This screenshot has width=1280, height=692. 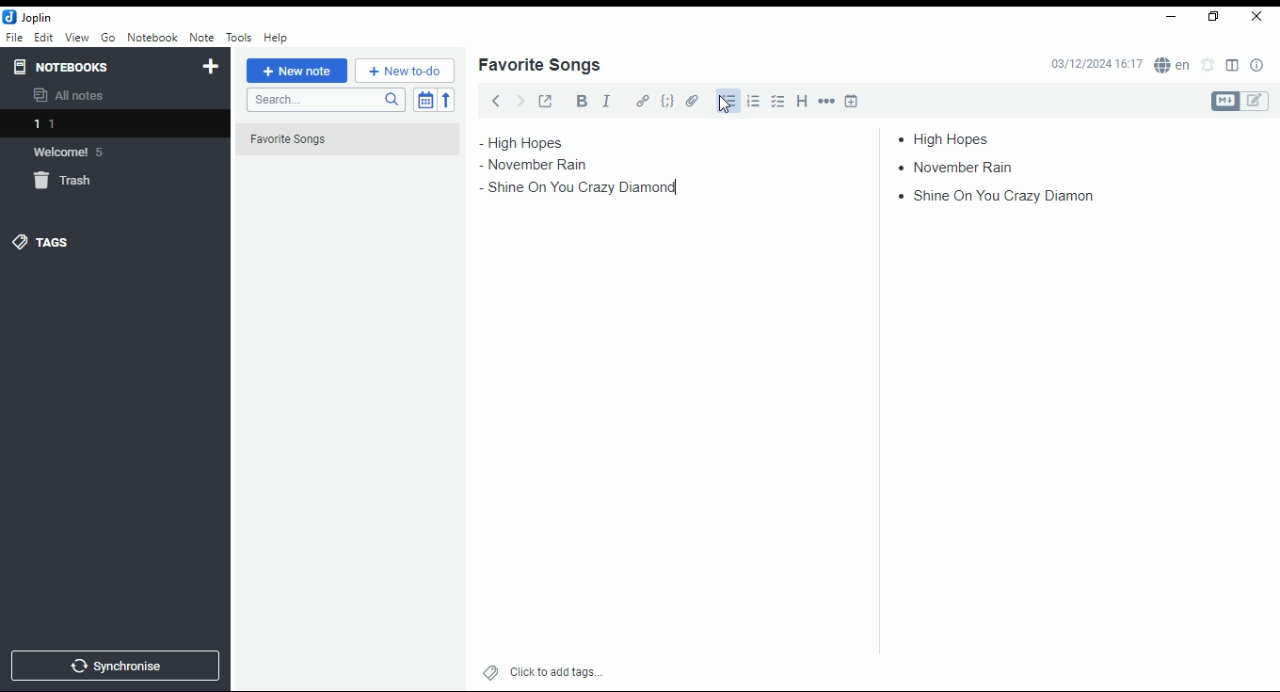 What do you see at coordinates (667, 101) in the screenshot?
I see `code` at bounding box center [667, 101].